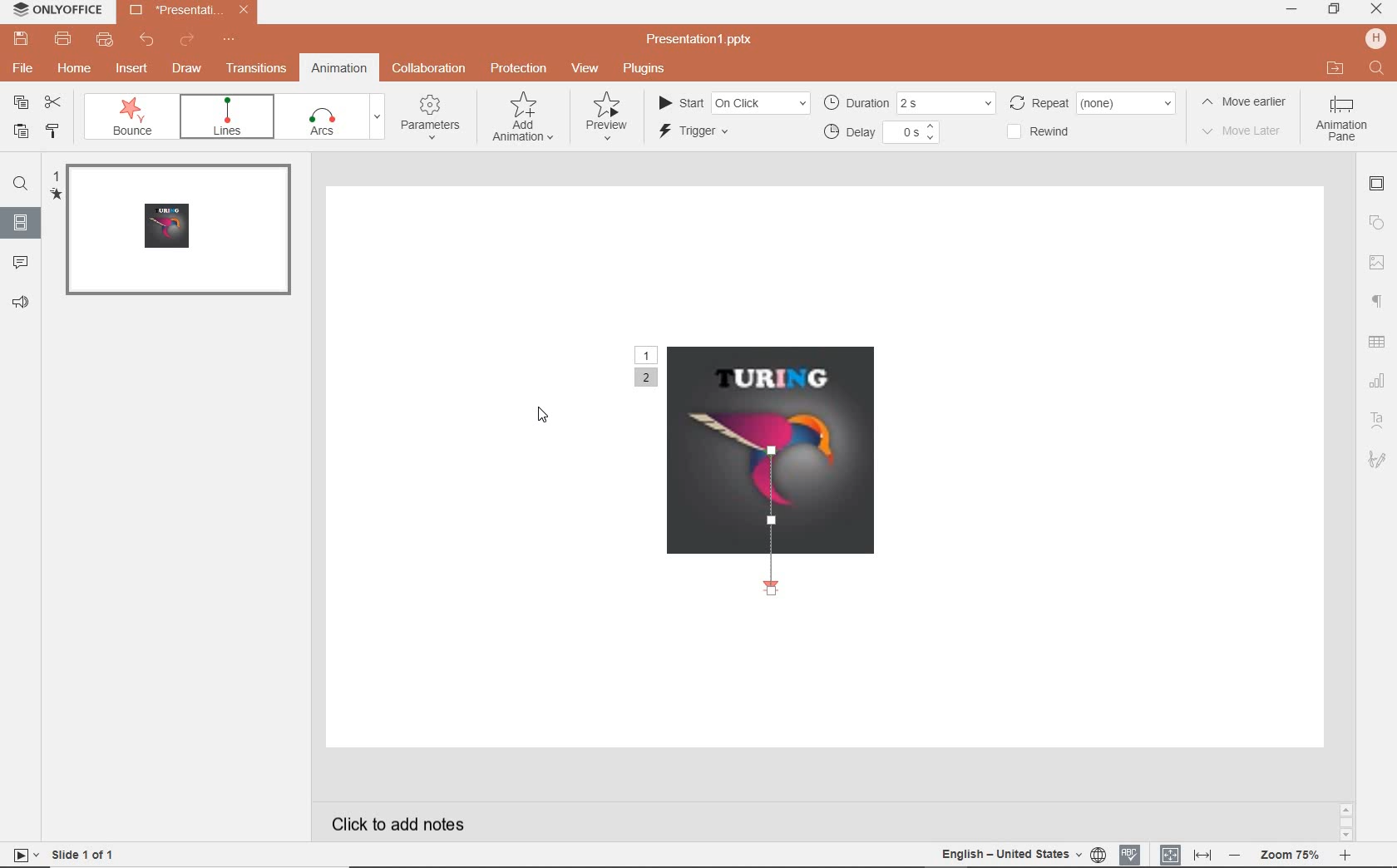 This screenshot has height=868, width=1397. What do you see at coordinates (131, 68) in the screenshot?
I see `insert` at bounding box center [131, 68].